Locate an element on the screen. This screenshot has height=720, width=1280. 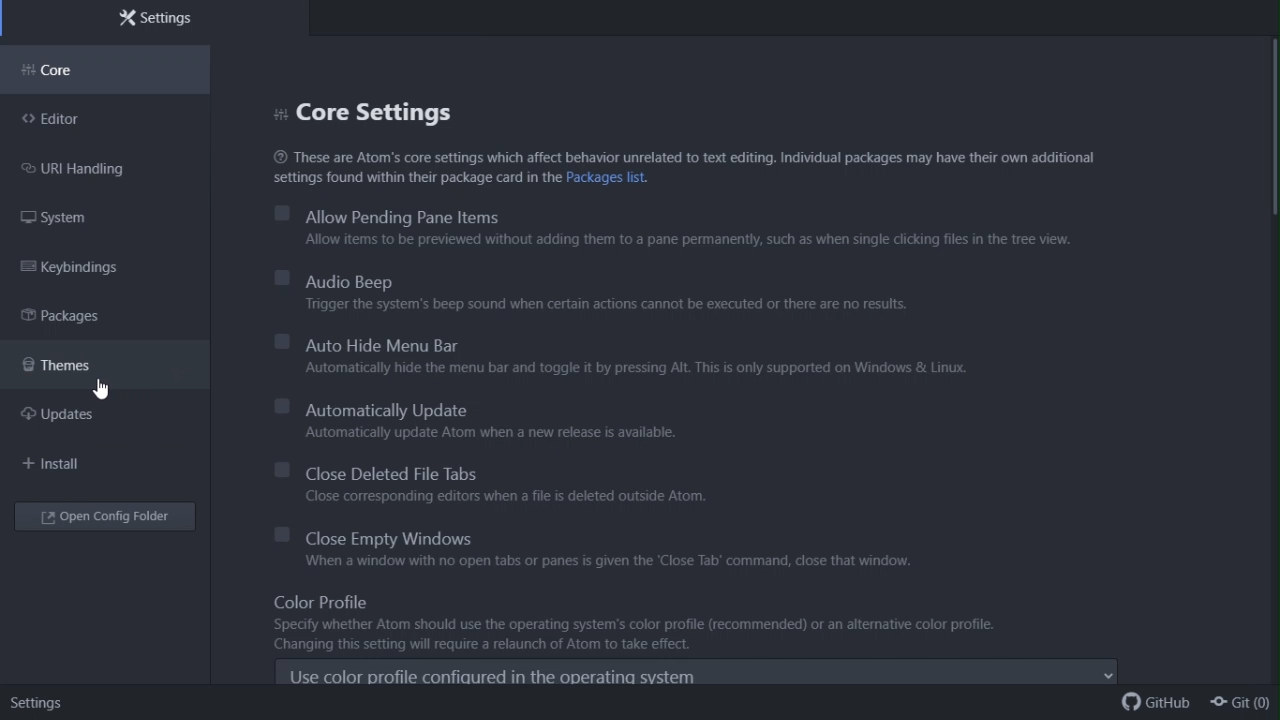
vertical scroll bar is located at coordinates (1272, 126).